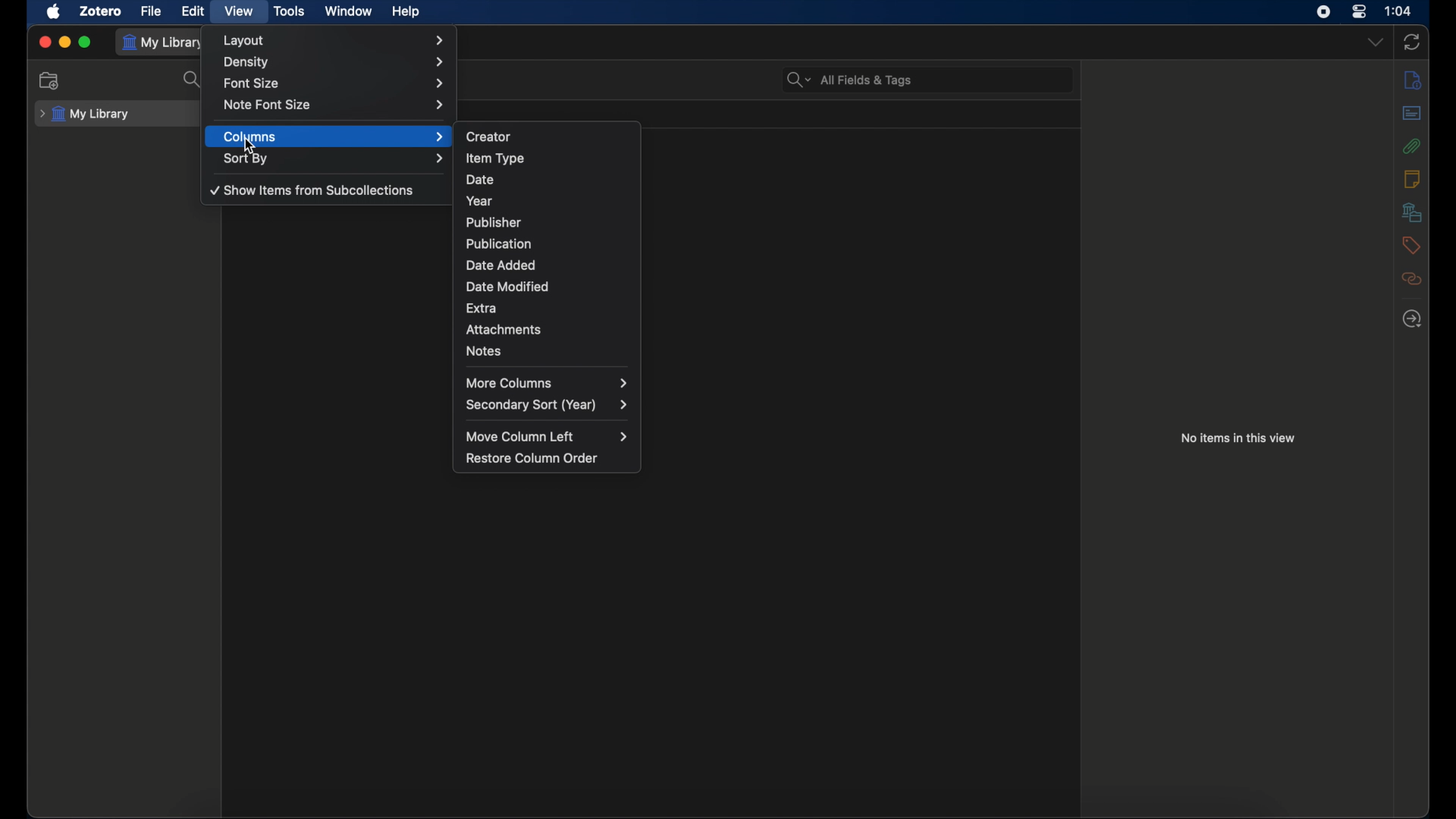  Describe the element at coordinates (1412, 212) in the screenshot. I see `libraries` at that location.